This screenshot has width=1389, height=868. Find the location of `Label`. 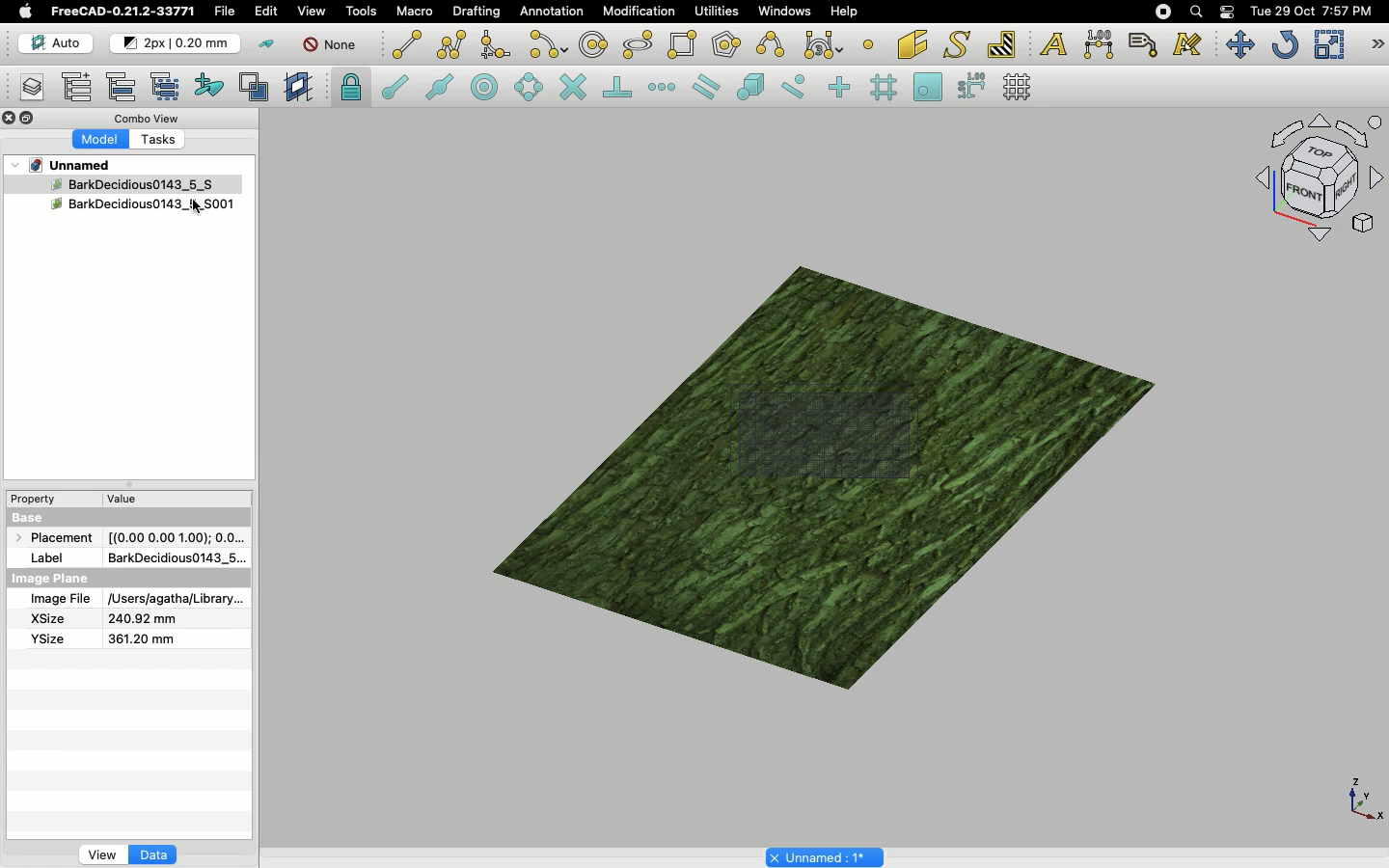

Label is located at coordinates (1146, 44).